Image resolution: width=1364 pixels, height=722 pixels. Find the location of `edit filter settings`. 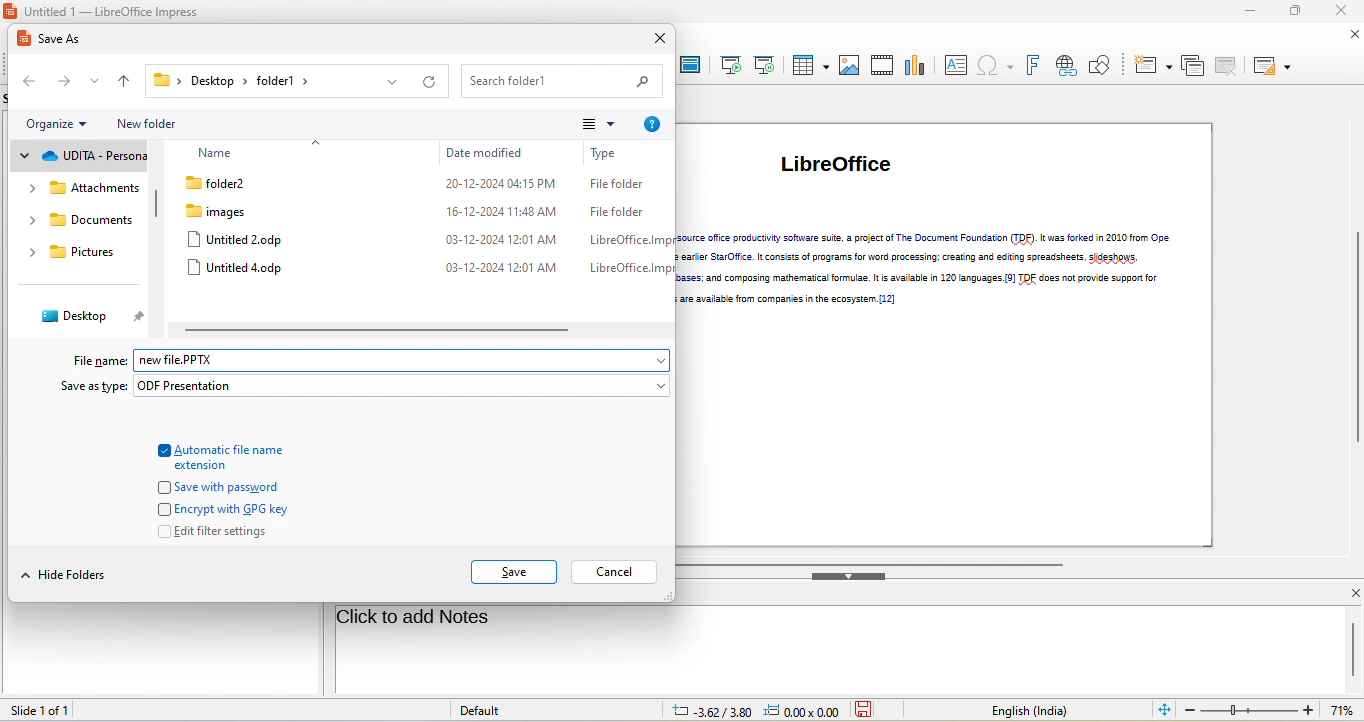

edit filter settings is located at coordinates (216, 532).